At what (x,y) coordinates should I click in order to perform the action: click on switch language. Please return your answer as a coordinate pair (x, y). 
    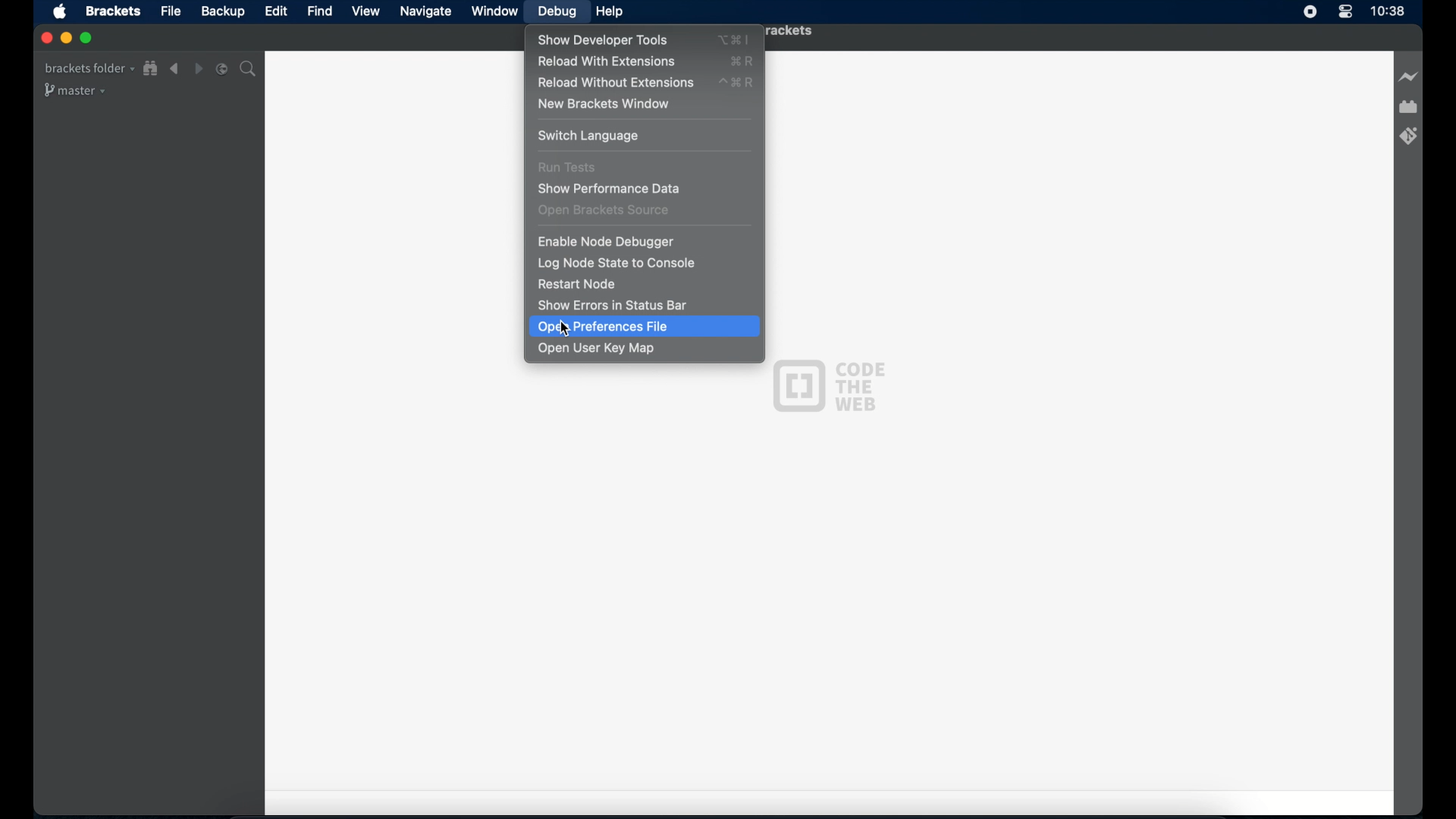
    Looking at the image, I should click on (589, 136).